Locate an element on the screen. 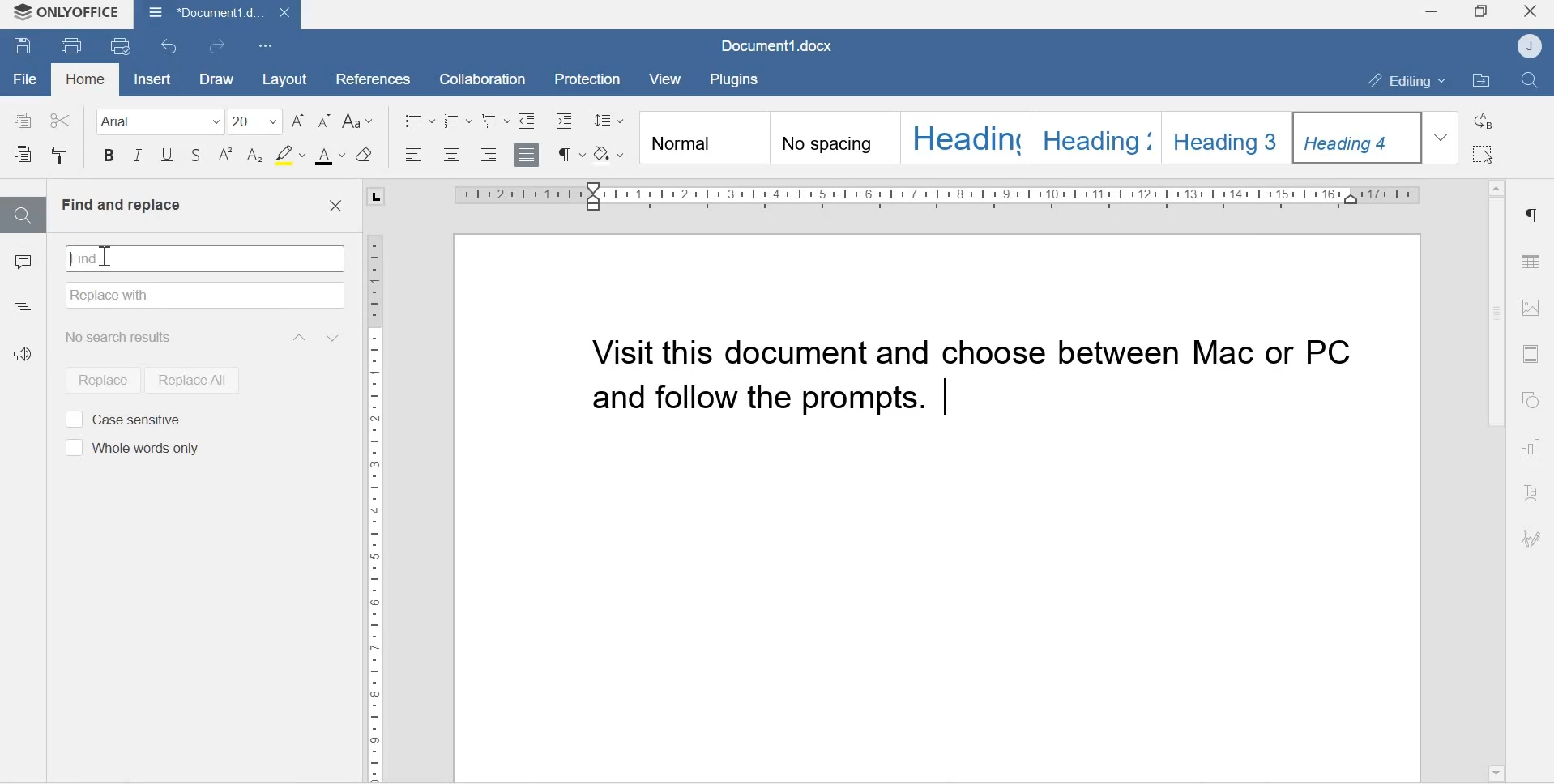 This screenshot has width=1554, height=784. Replace all is located at coordinates (190, 379).